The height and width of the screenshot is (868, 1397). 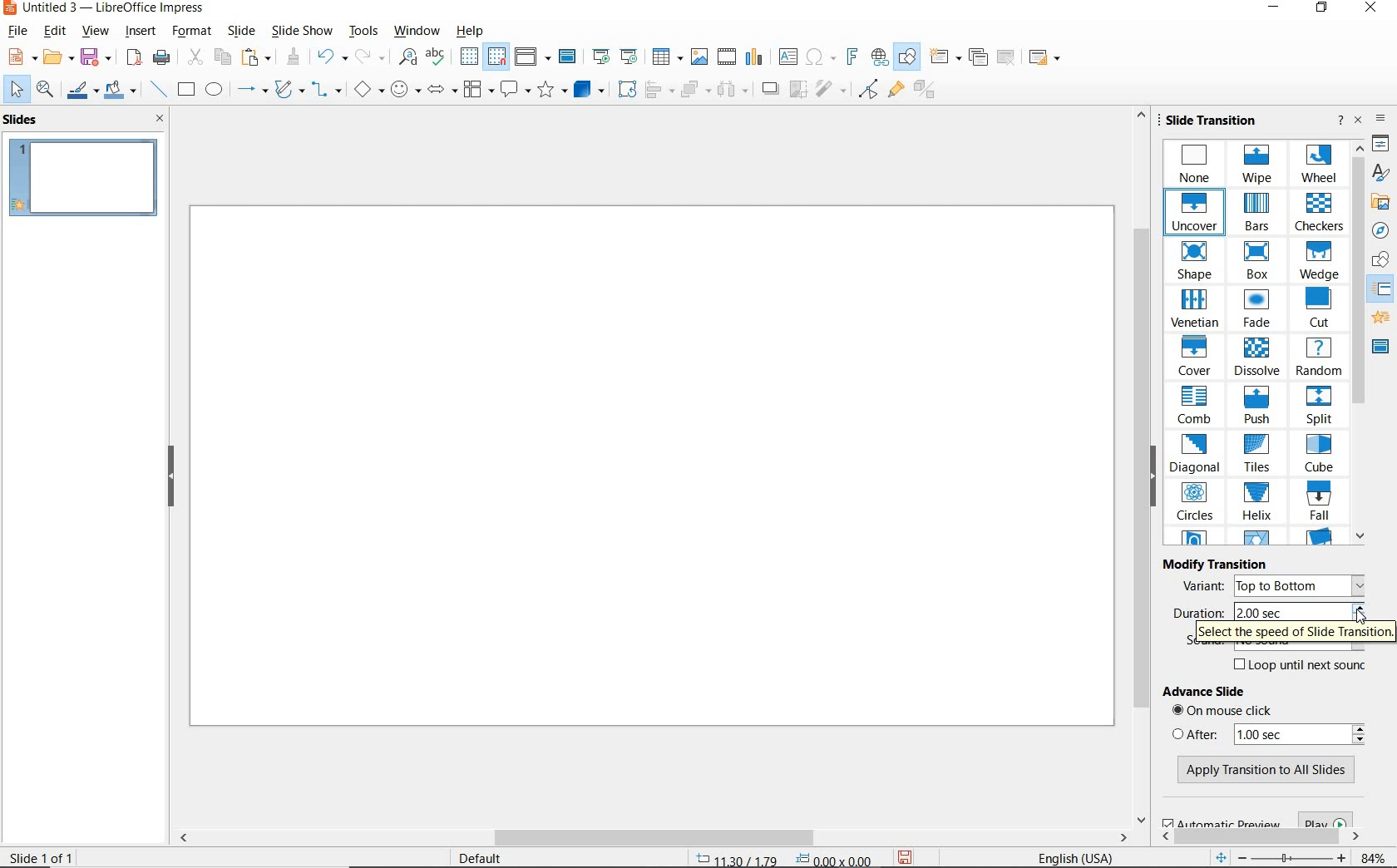 I want to click on RESTORE DOWN, so click(x=1325, y=9).